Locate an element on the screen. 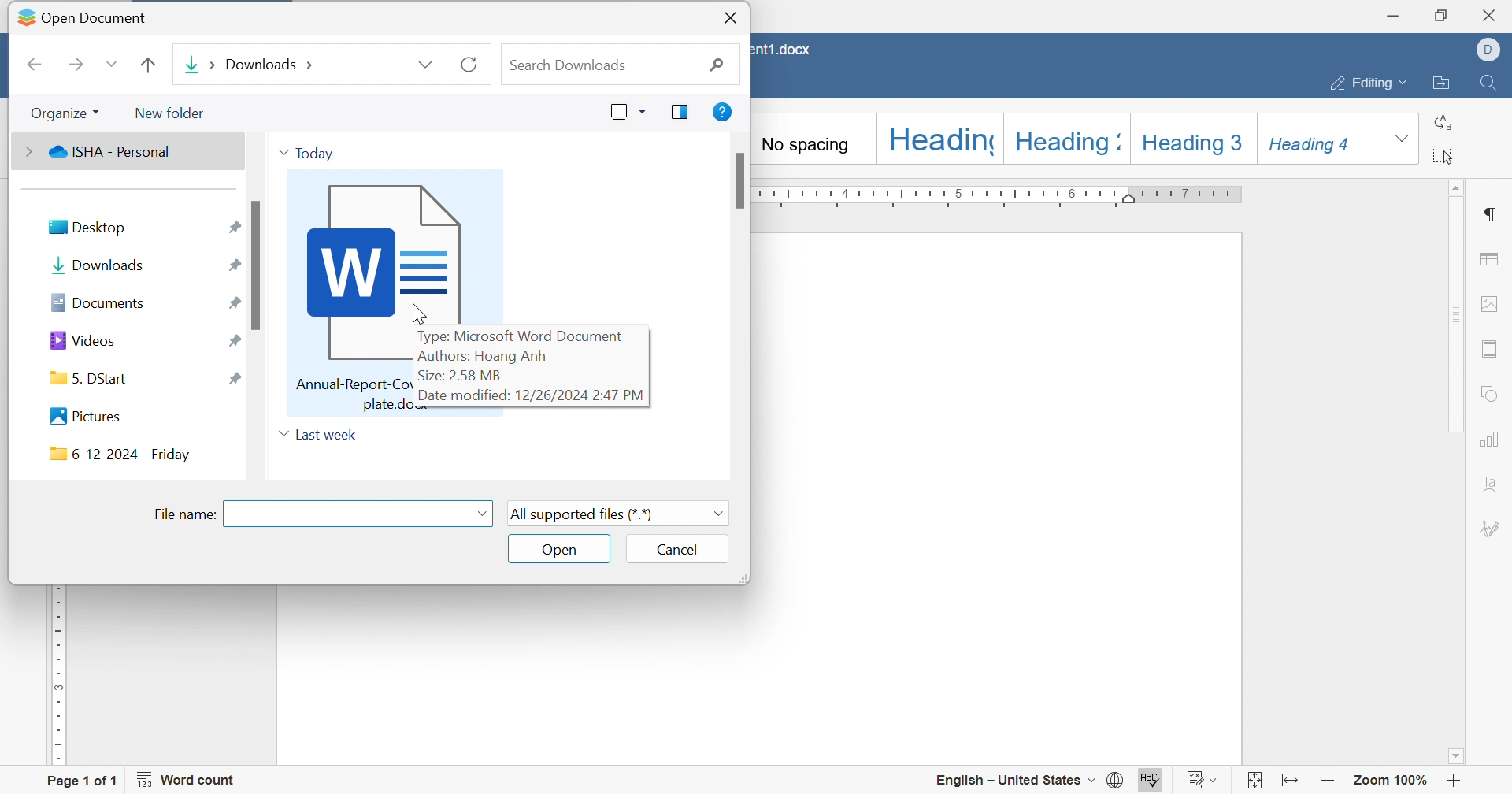  spell checking is located at coordinates (1151, 781).